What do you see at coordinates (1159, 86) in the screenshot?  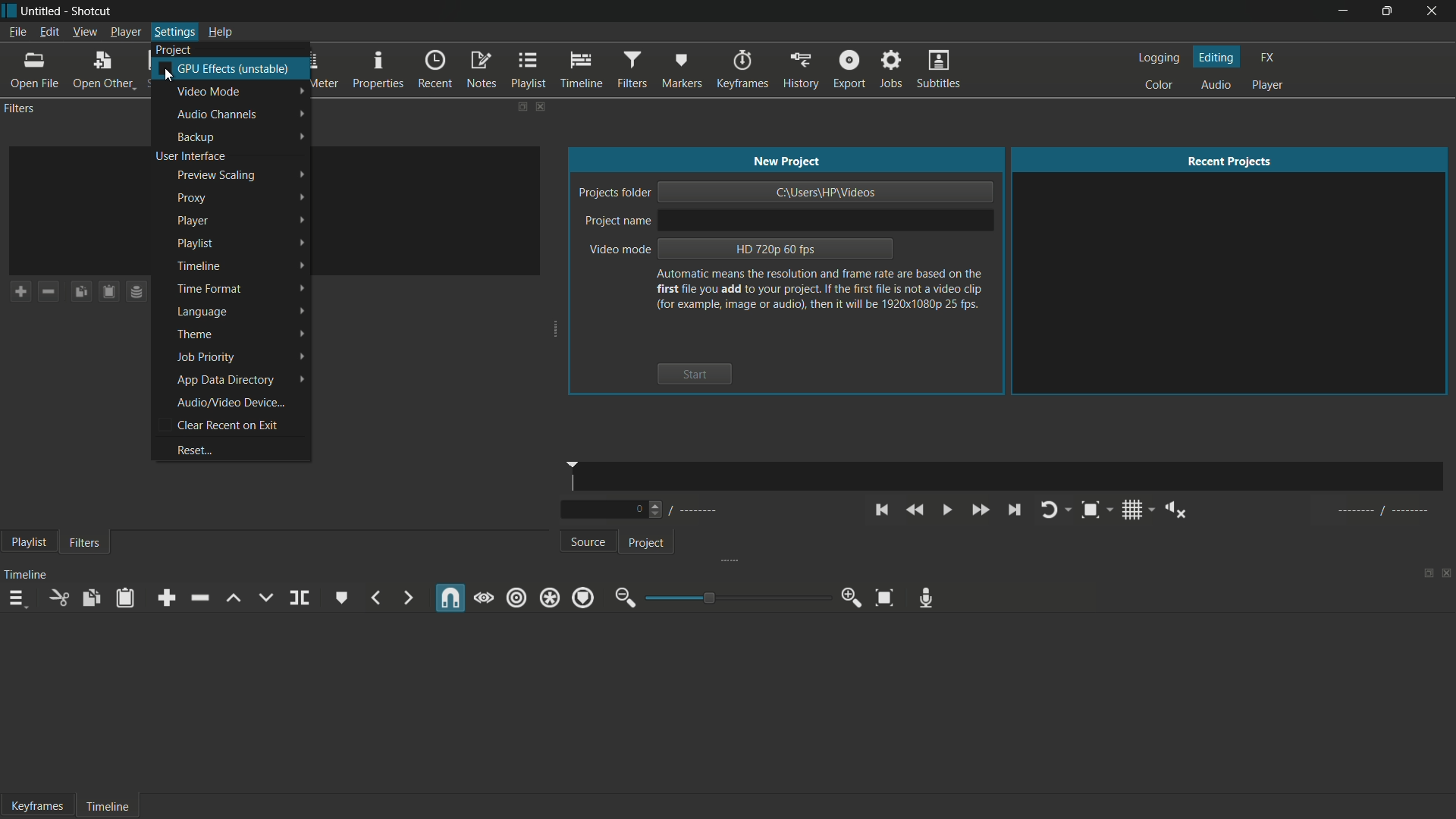 I see `color` at bounding box center [1159, 86].